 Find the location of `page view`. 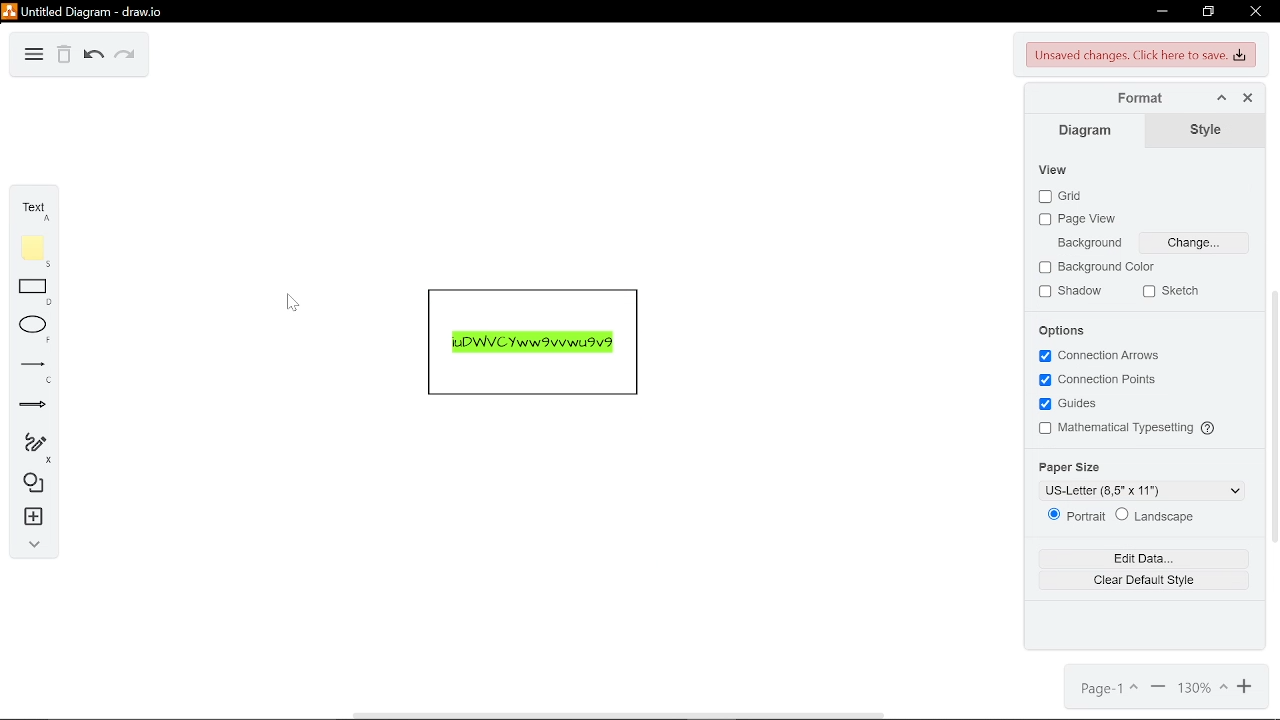

page view is located at coordinates (1080, 220).